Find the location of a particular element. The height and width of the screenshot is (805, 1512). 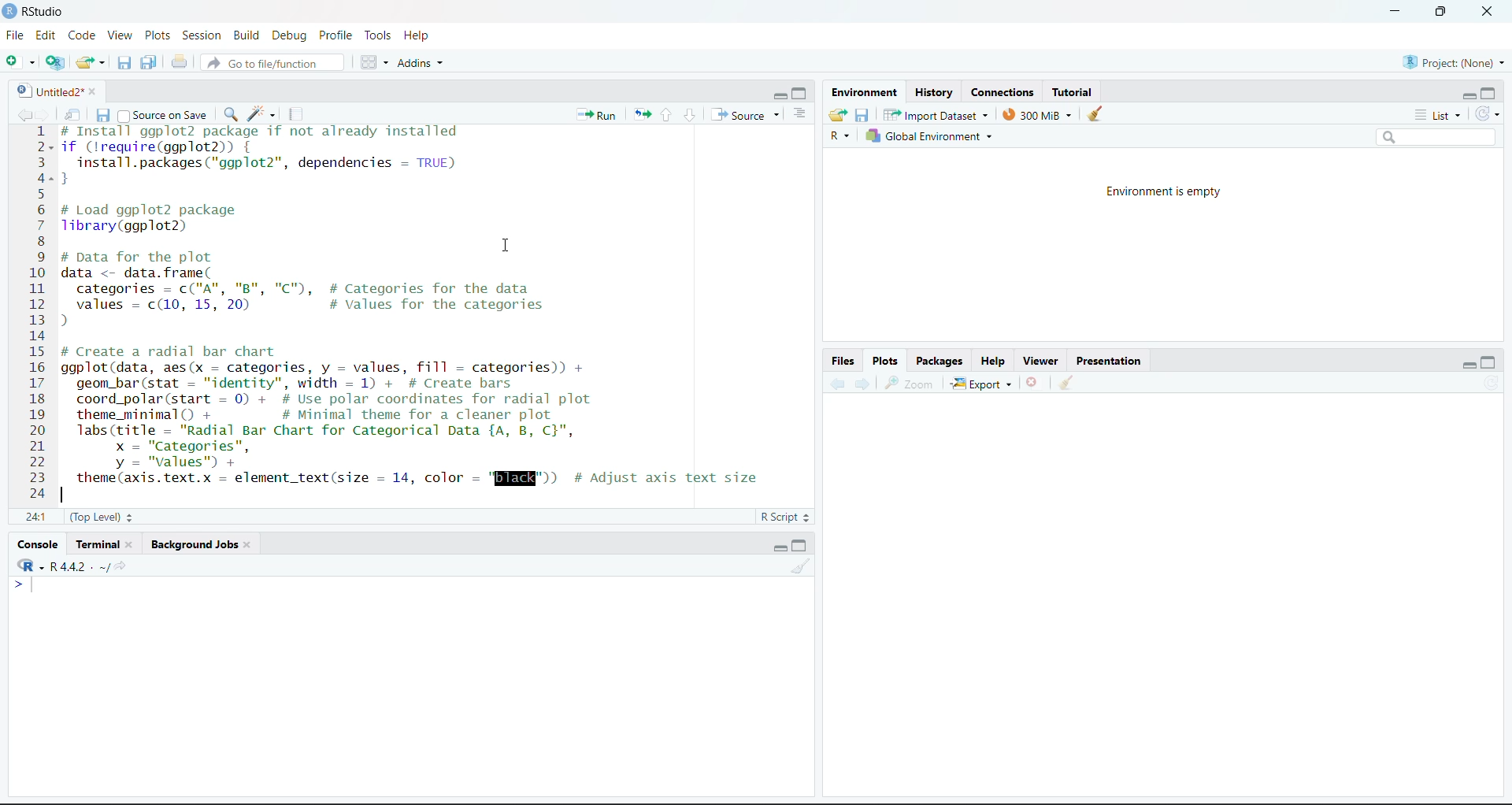

find /replace is located at coordinates (229, 114).